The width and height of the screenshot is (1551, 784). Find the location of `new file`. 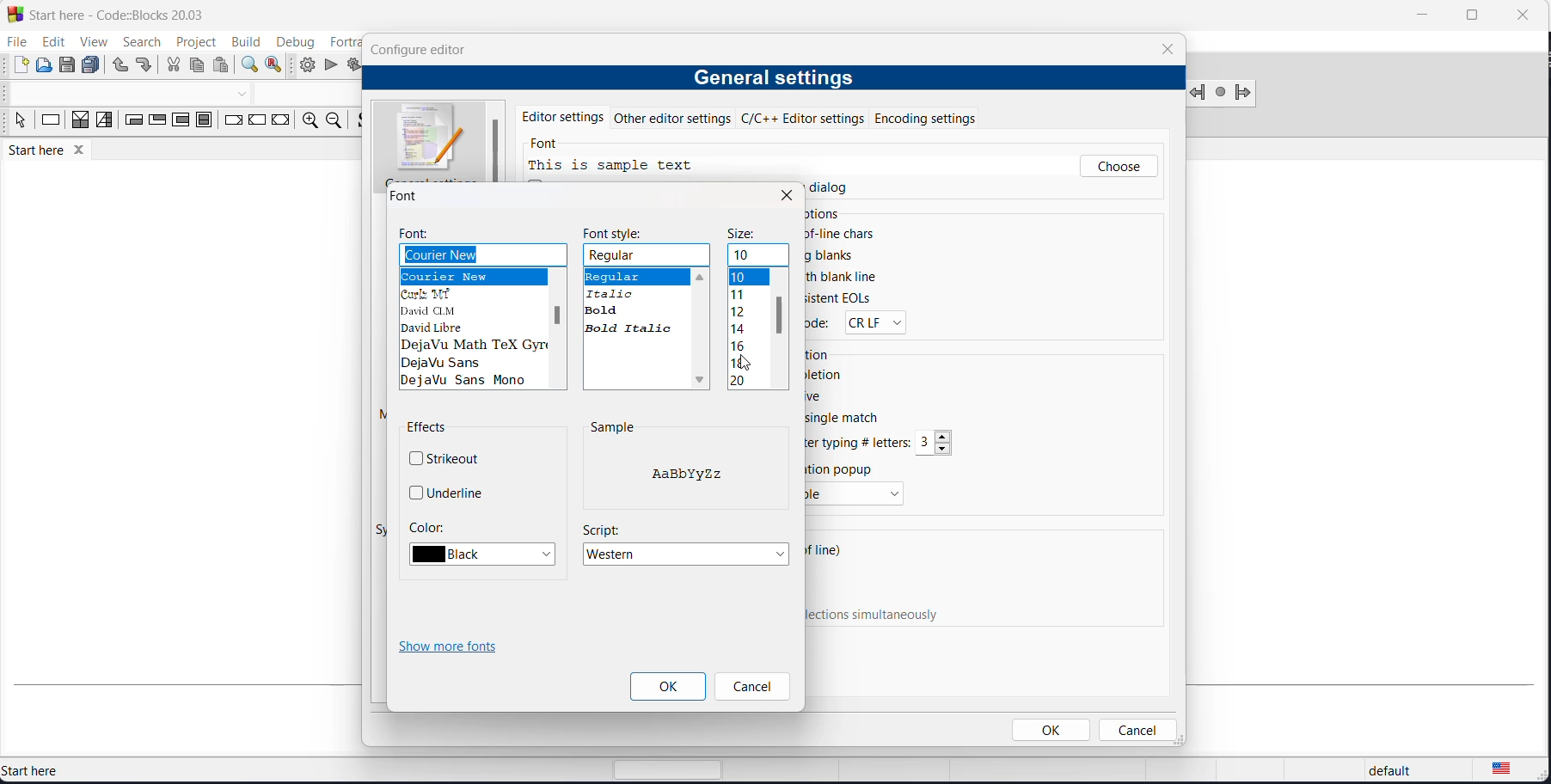

new file is located at coordinates (20, 65).